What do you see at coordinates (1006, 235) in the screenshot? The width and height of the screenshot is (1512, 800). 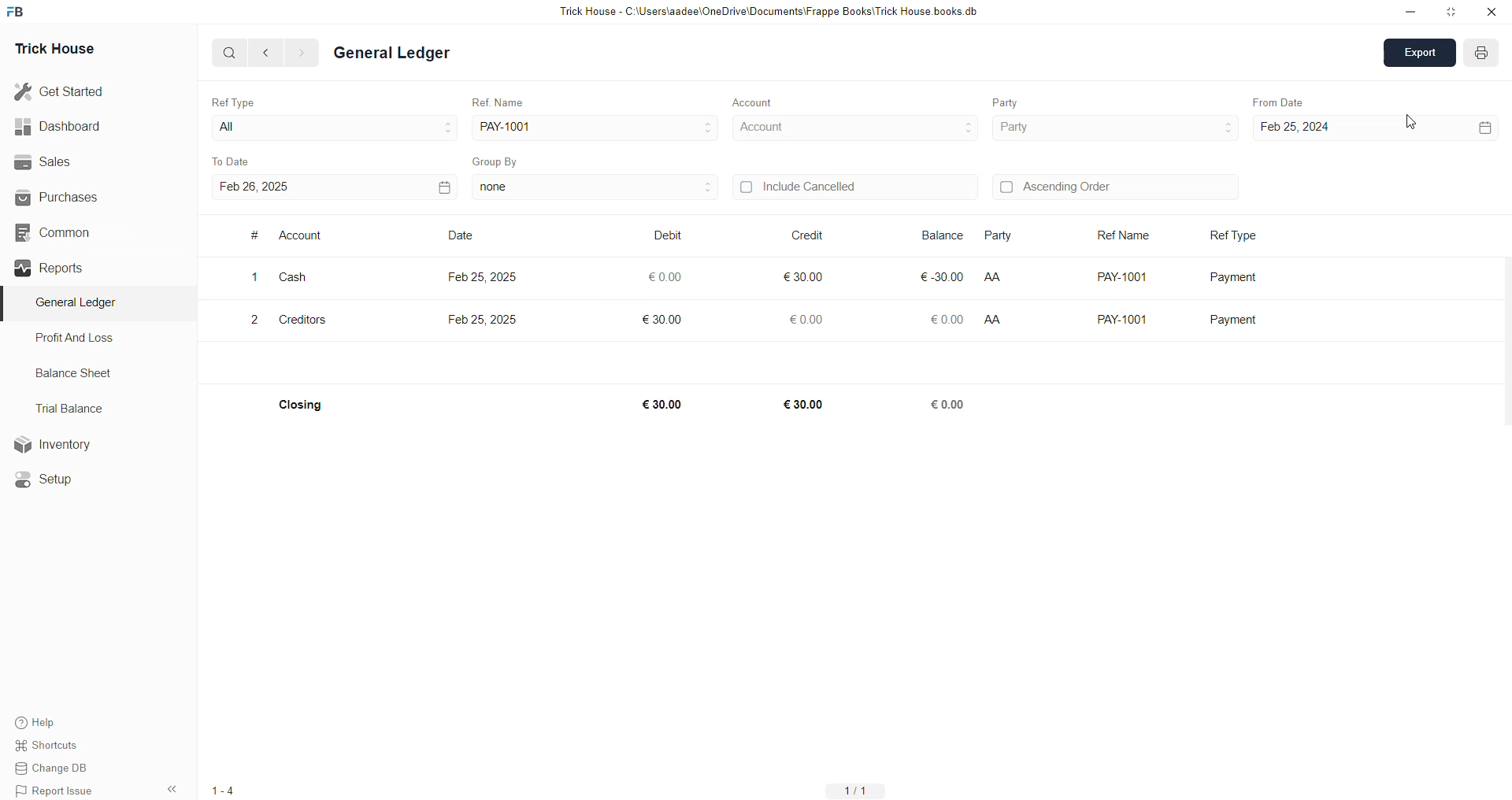 I see `Party` at bounding box center [1006, 235].